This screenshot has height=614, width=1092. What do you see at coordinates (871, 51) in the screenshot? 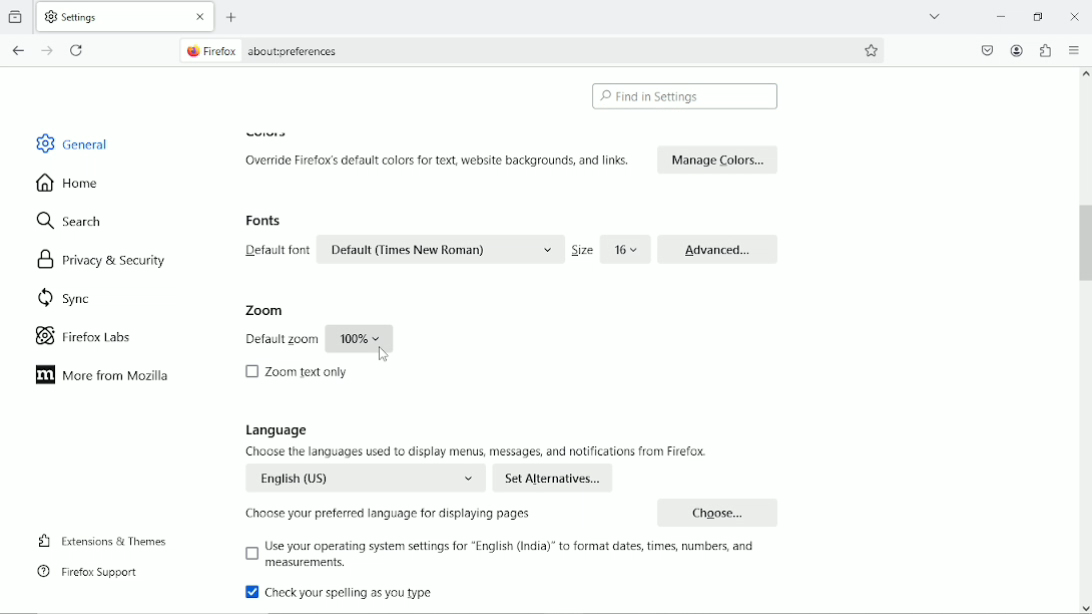
I see `bookmark this page` at bounding box center [871, 51].